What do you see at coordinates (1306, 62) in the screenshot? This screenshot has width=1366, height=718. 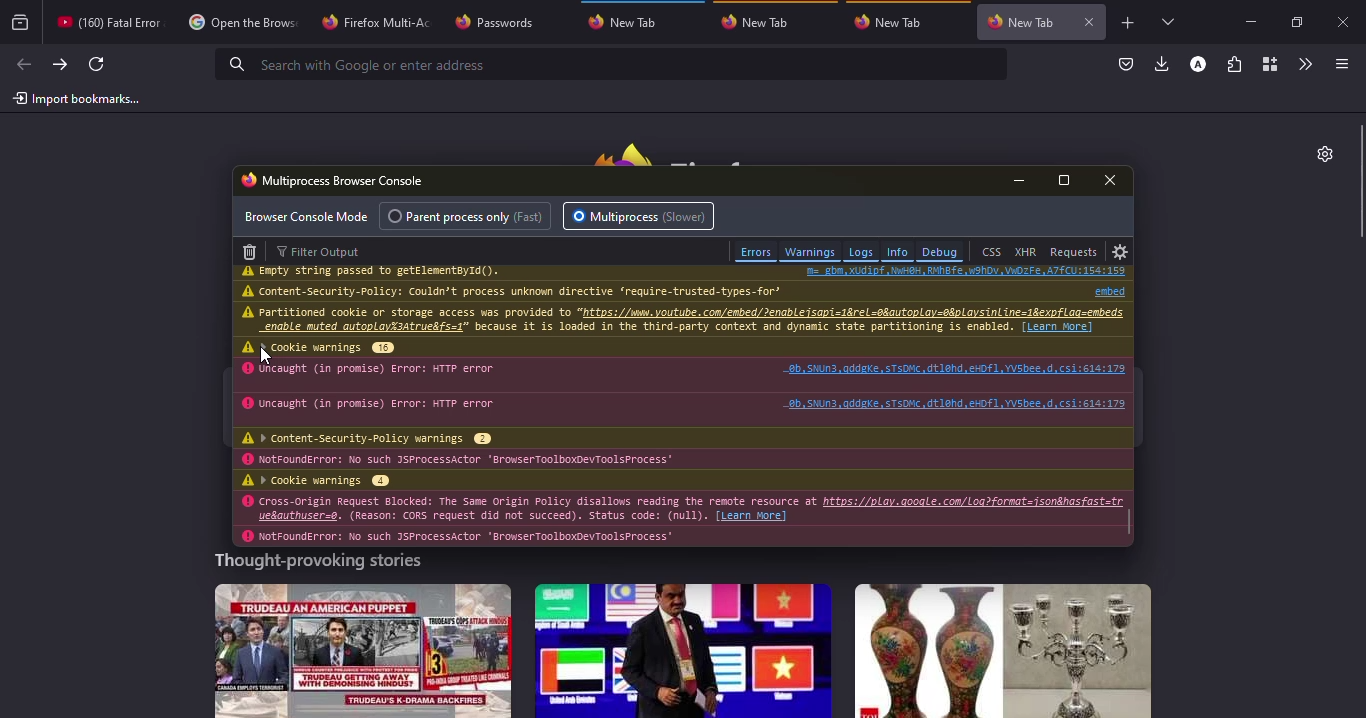 I see `more tools` at bounding box center [1306, 62].